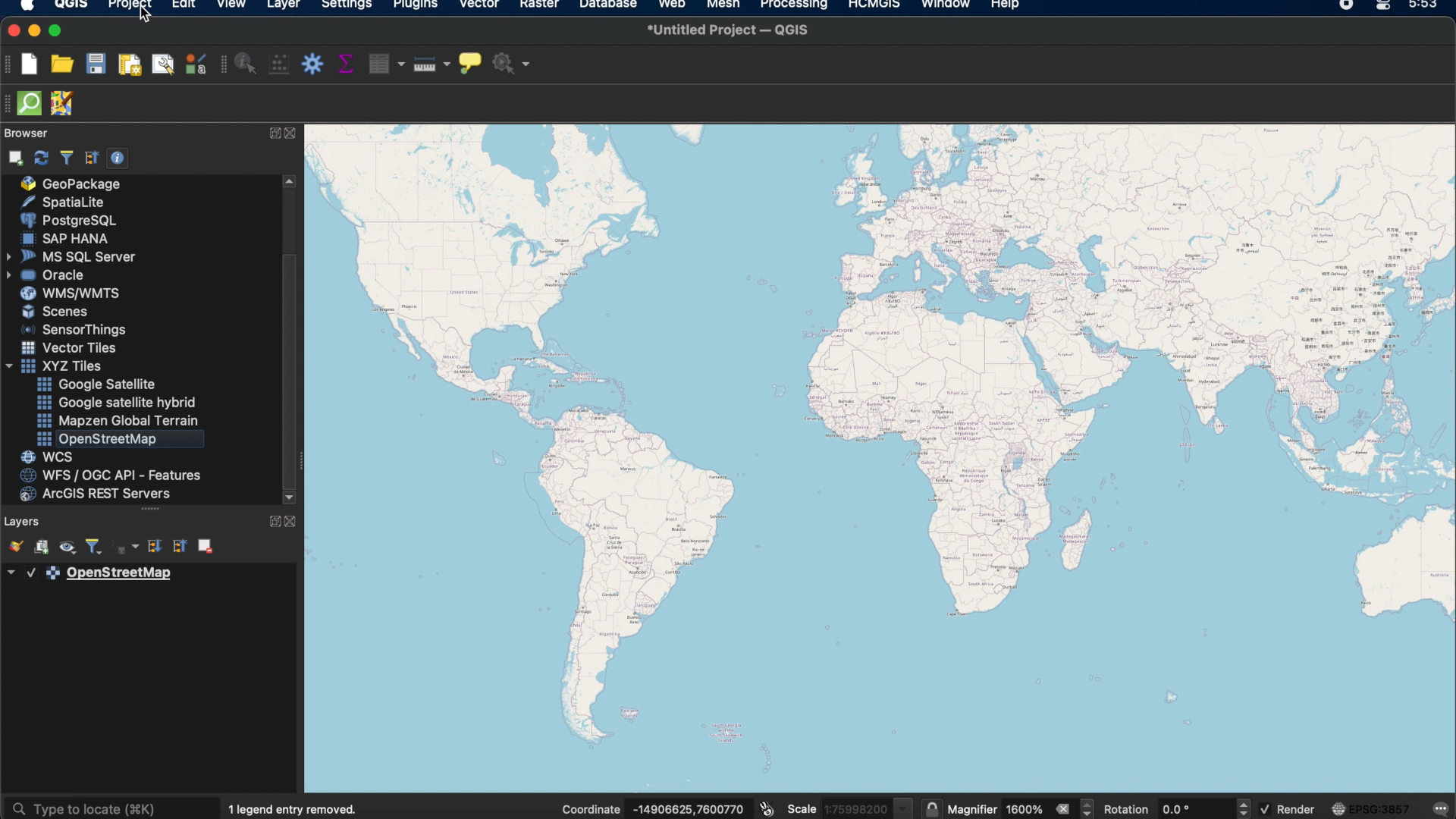 The width and height of the screenshot is (1456, 819). I want to click on collapse all, so click(92, 158).